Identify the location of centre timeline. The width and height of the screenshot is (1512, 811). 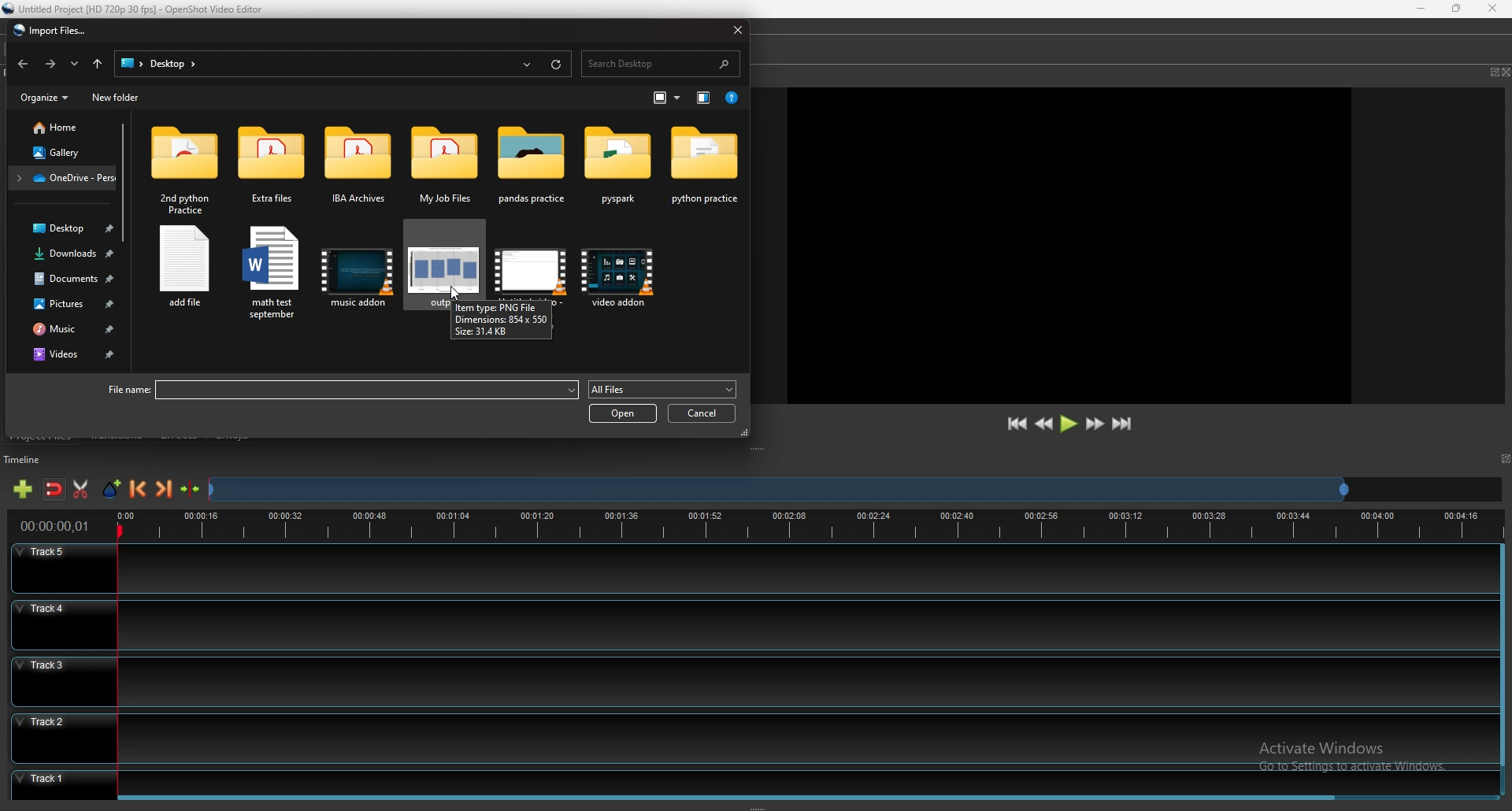
(191, 489).